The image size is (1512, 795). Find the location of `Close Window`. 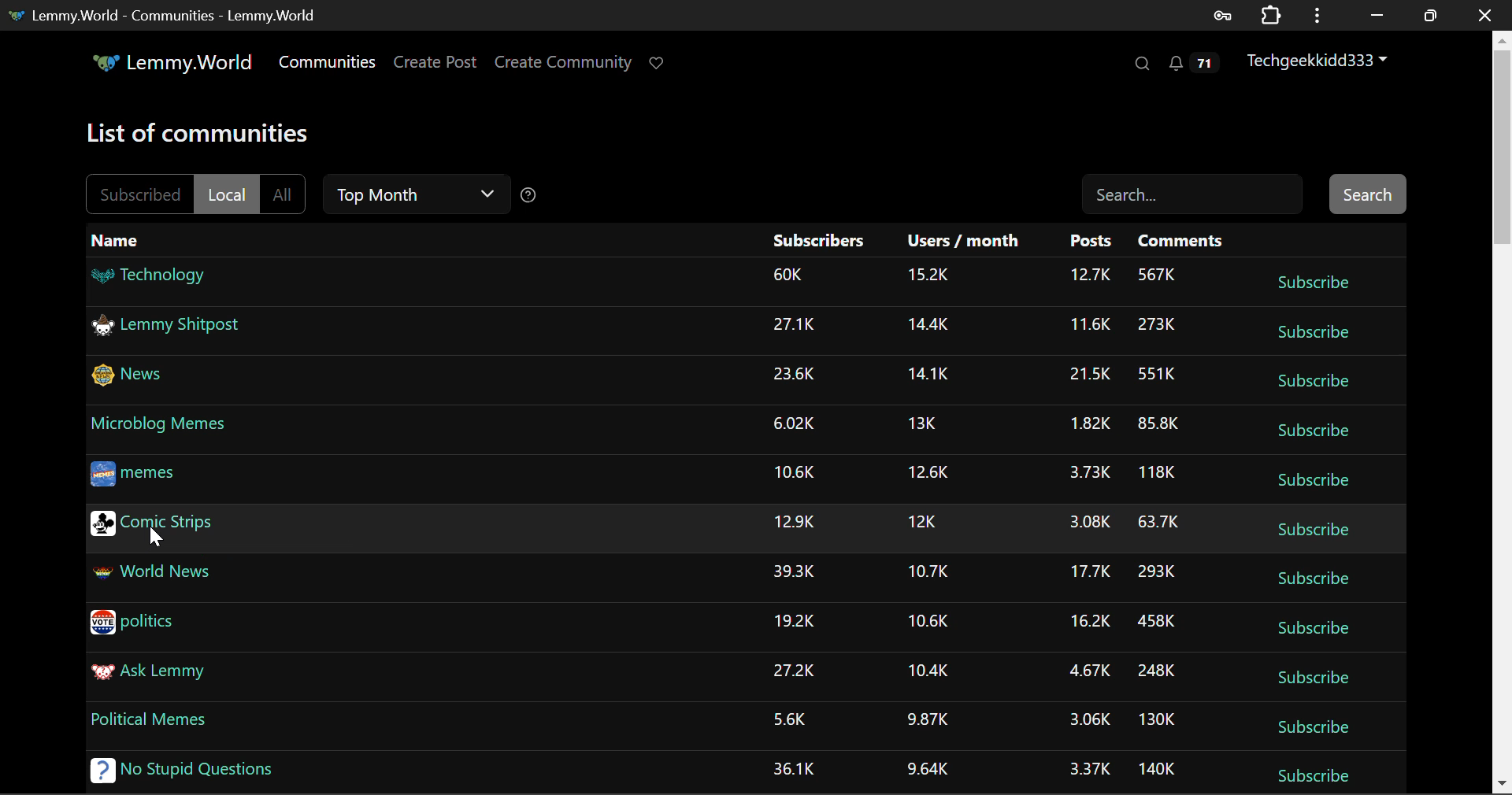

Close Window is located at coordinates (1484, 13).